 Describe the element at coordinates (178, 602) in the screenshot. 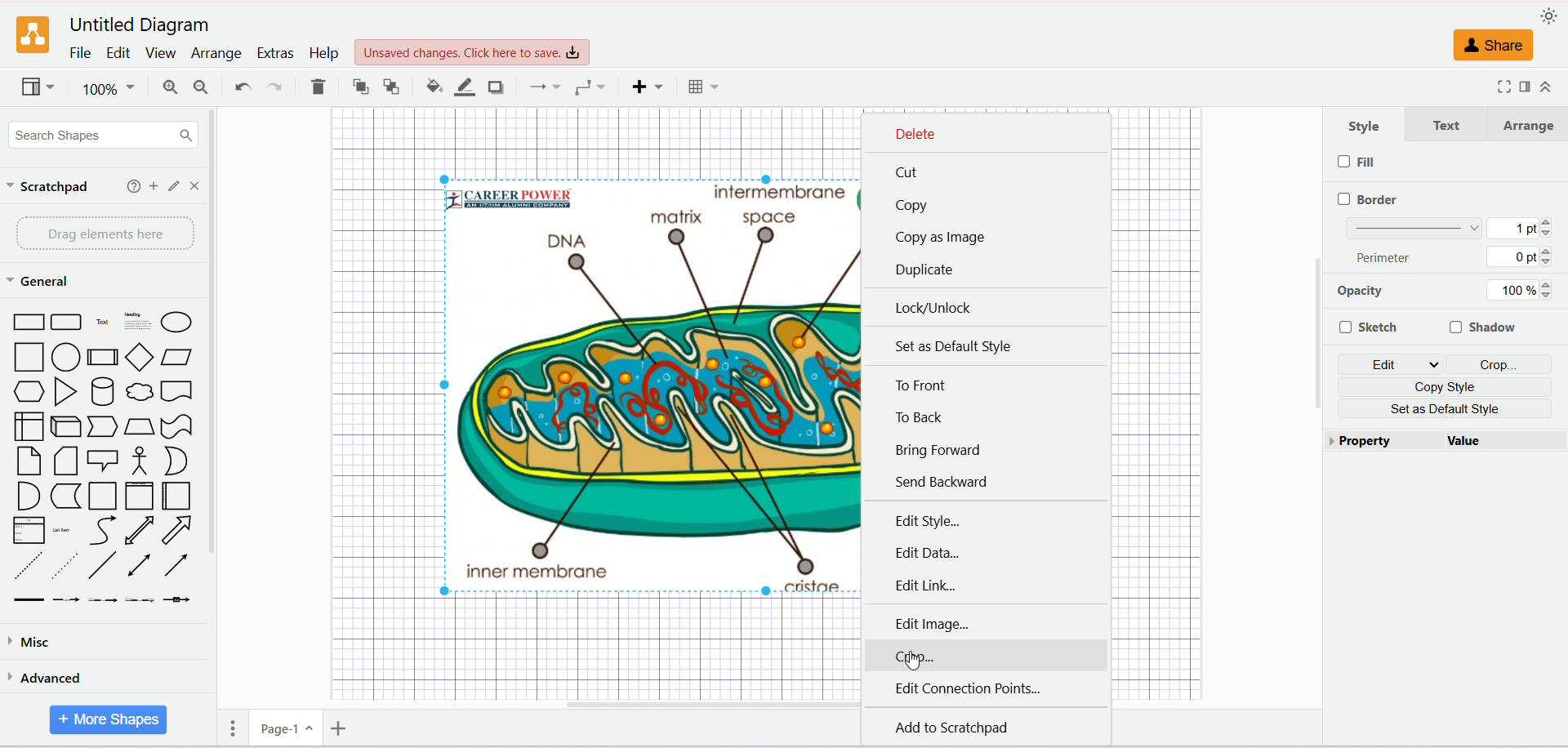

I see `Connector with Icon Symbol` at that location.